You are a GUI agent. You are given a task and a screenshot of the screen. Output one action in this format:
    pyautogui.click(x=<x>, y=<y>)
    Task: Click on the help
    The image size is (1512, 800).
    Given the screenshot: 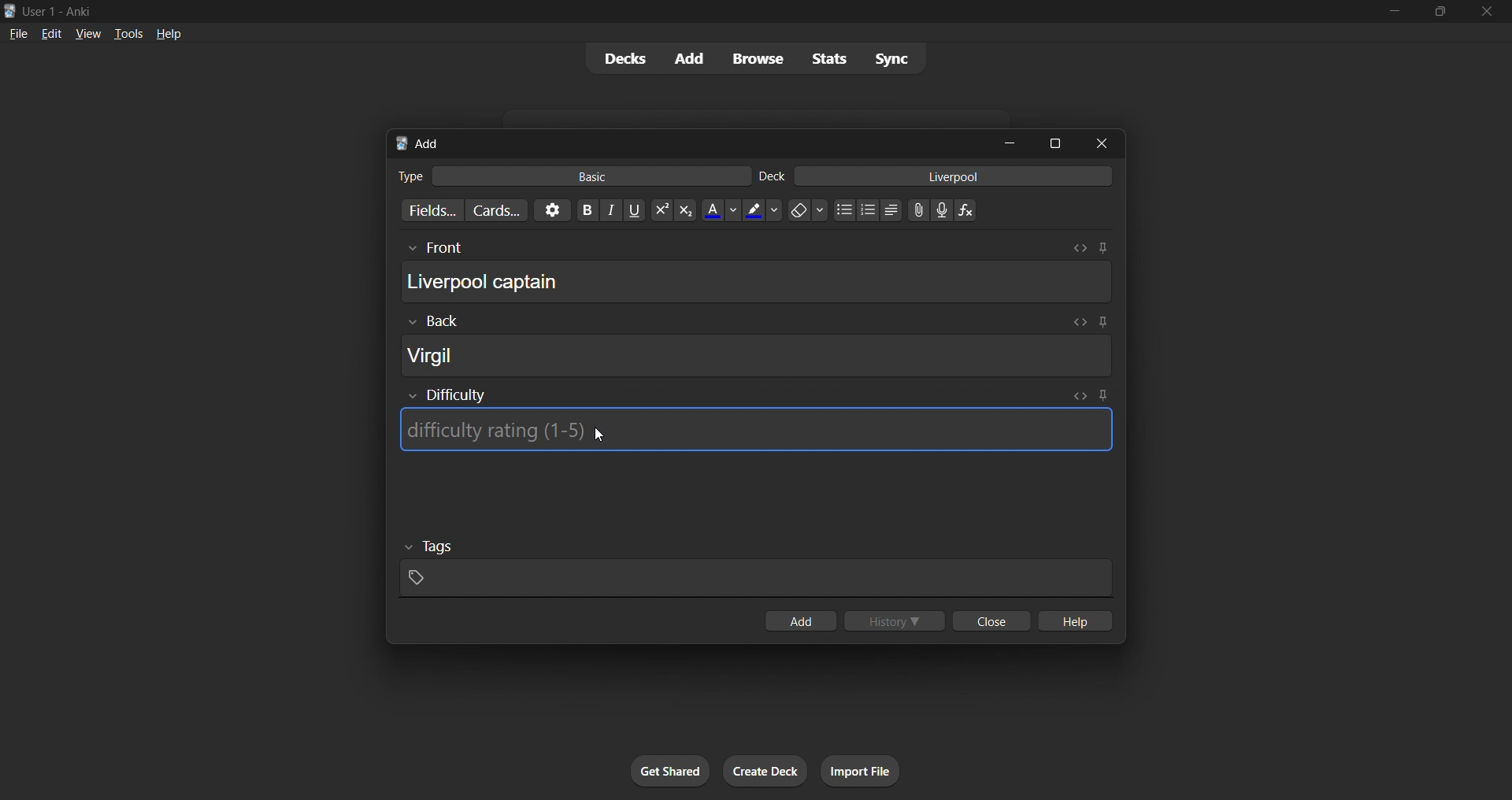 What is the action you would take?
    pyautogui.click(x=1073, y=620)
    